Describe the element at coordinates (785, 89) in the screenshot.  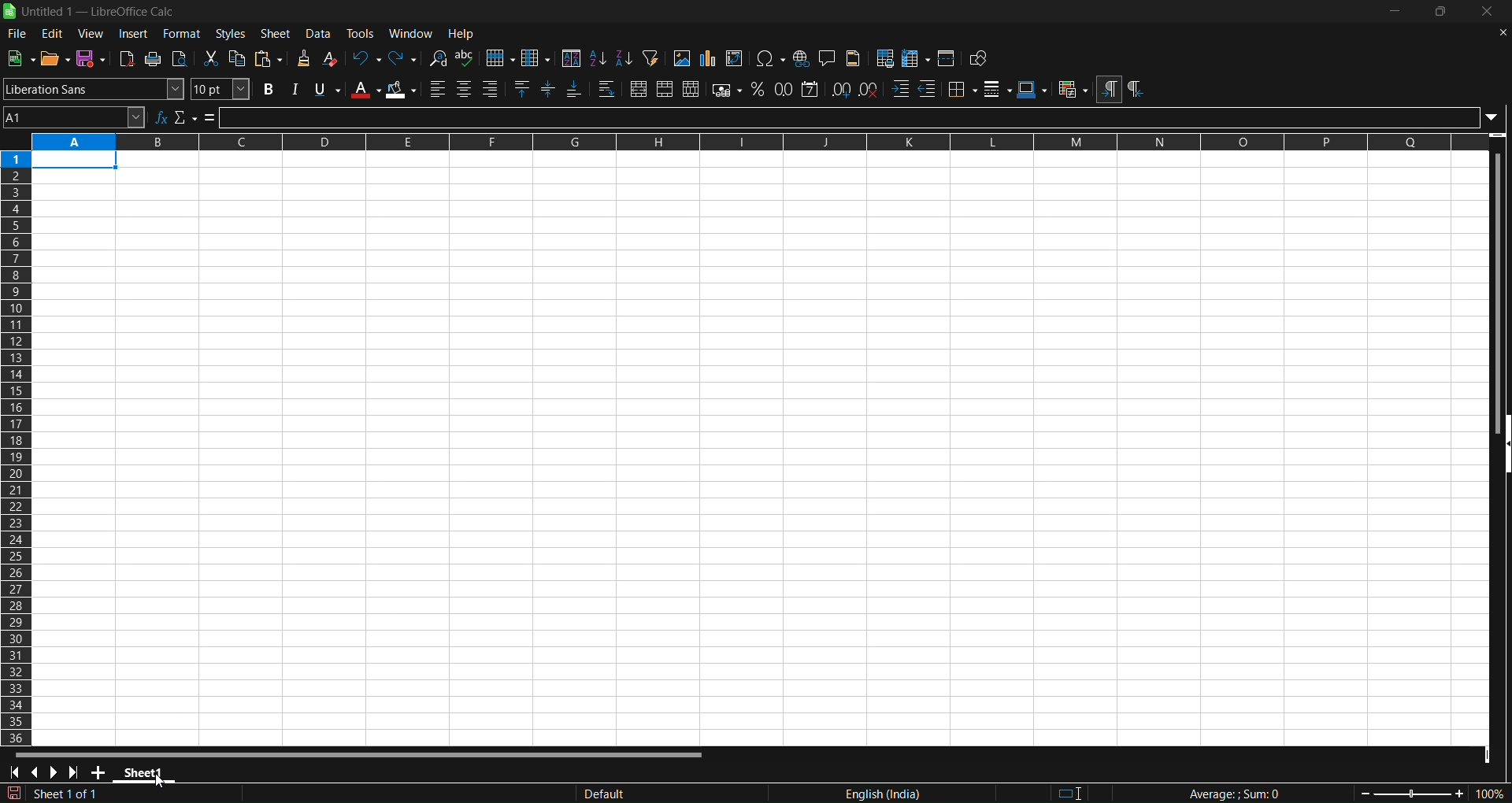
I see `format as number` at that location.